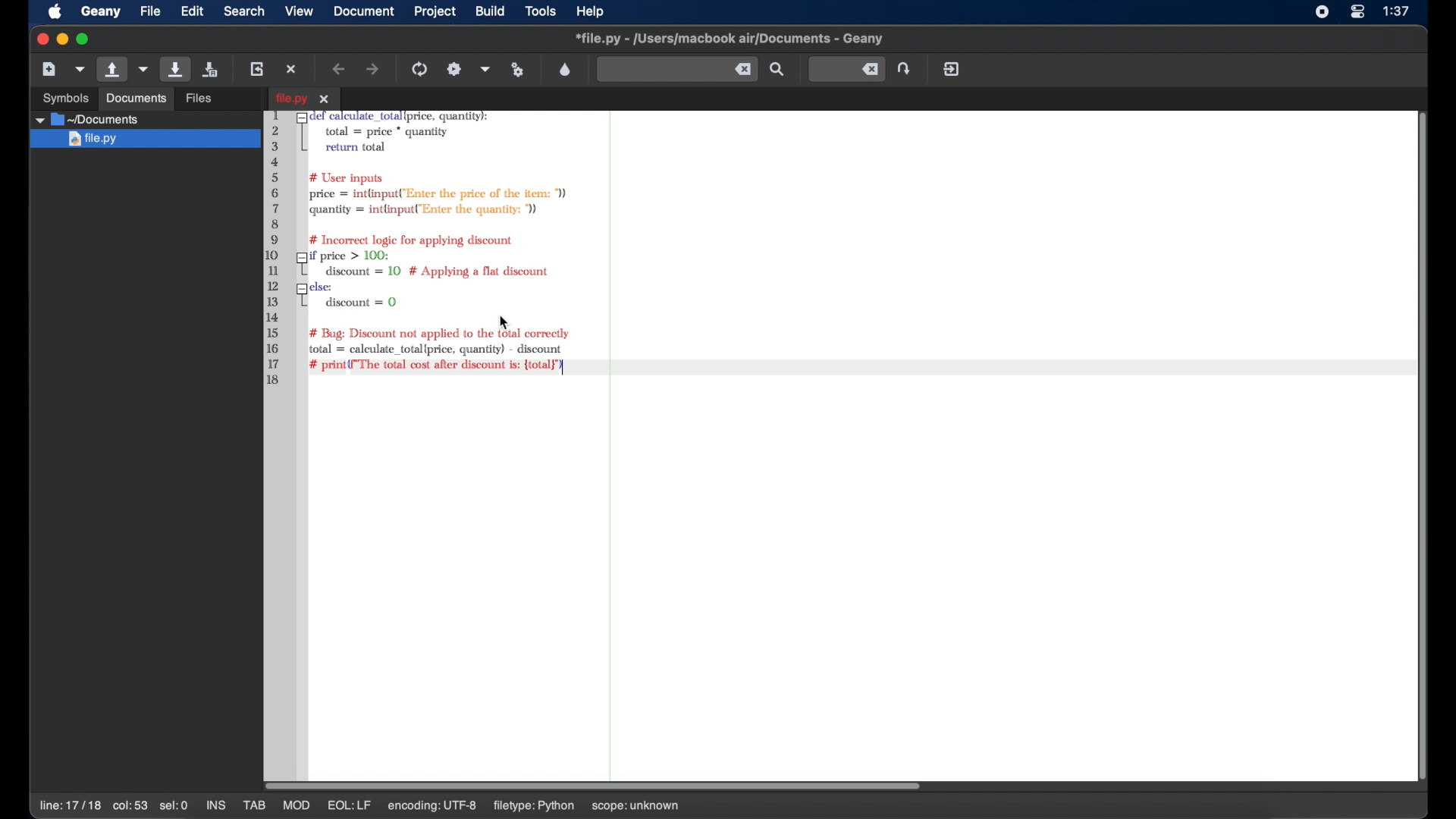 The image size is (1456, 819). What do you see at coordinates (100, 11) in the screenshot?
I see `geany` at bounding box center [100, 11].